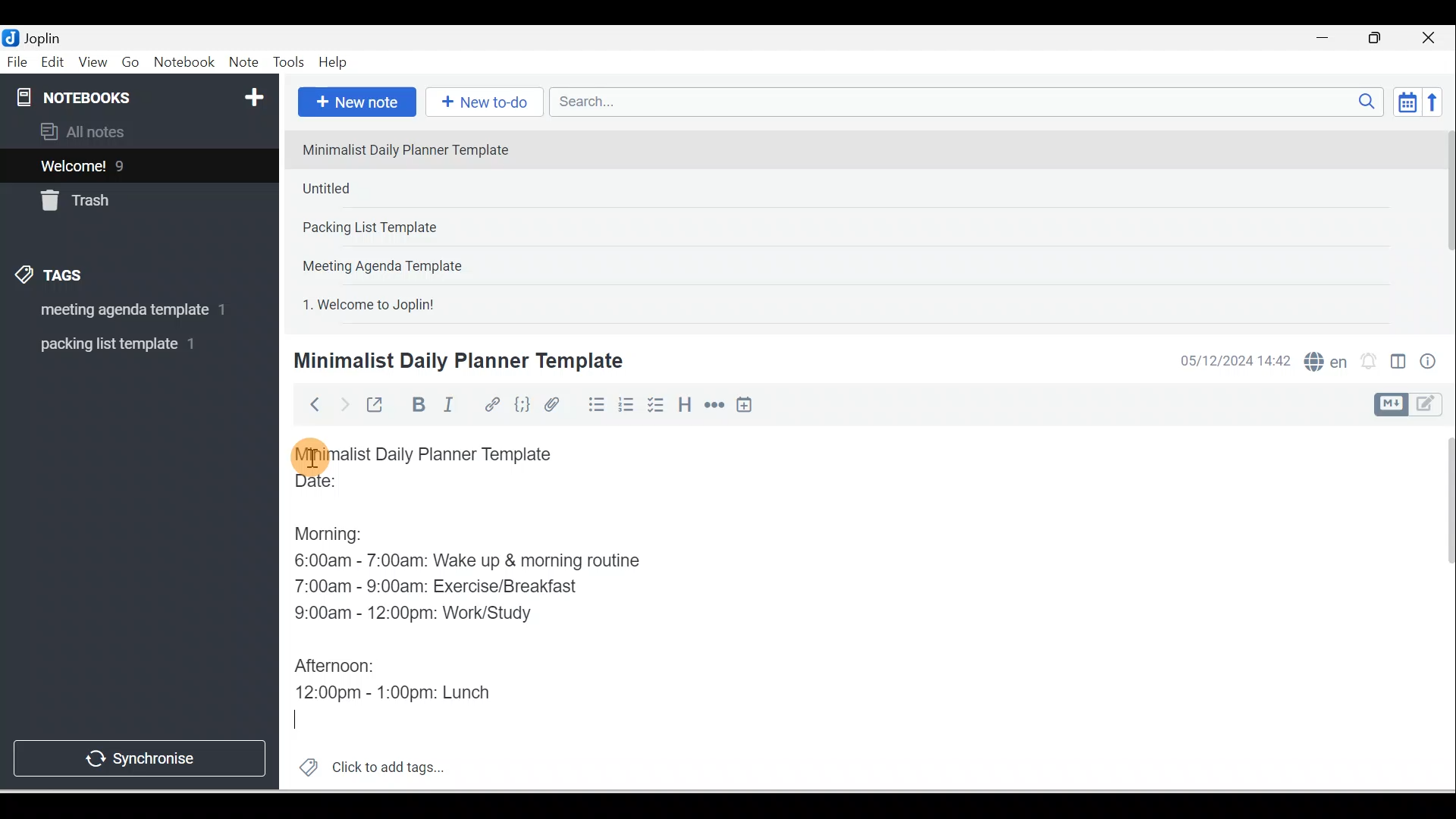  Describe the element at coordinates (716, 405) in the screenshot. I see `Horizontal rule` at that location.